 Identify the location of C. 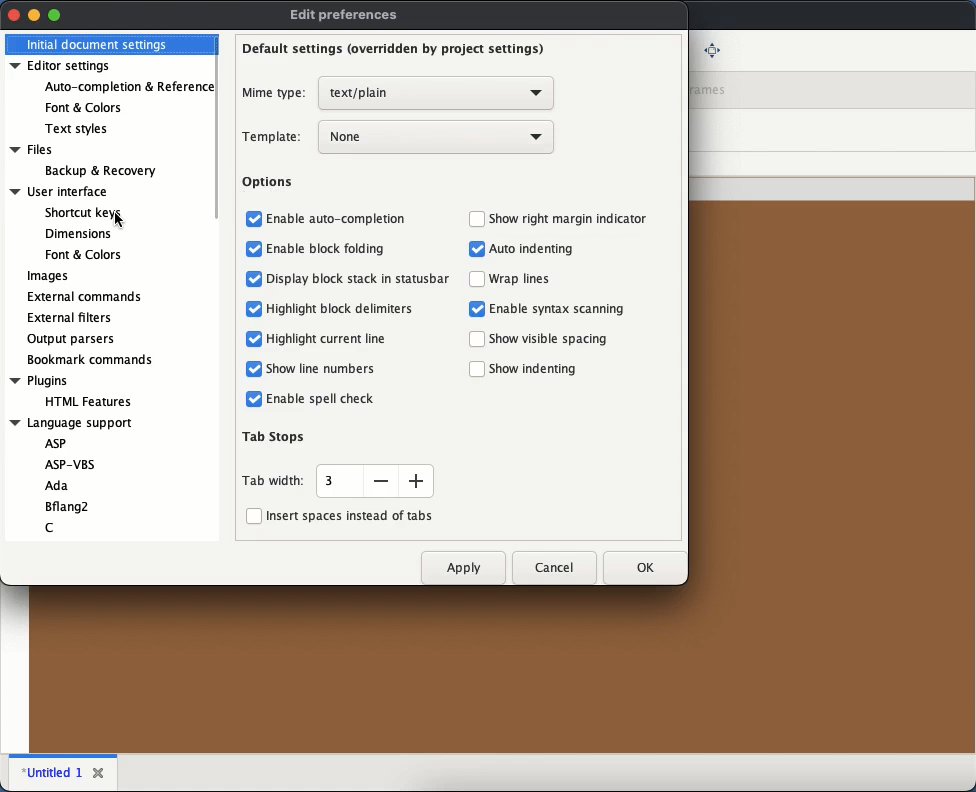
(54, 525).